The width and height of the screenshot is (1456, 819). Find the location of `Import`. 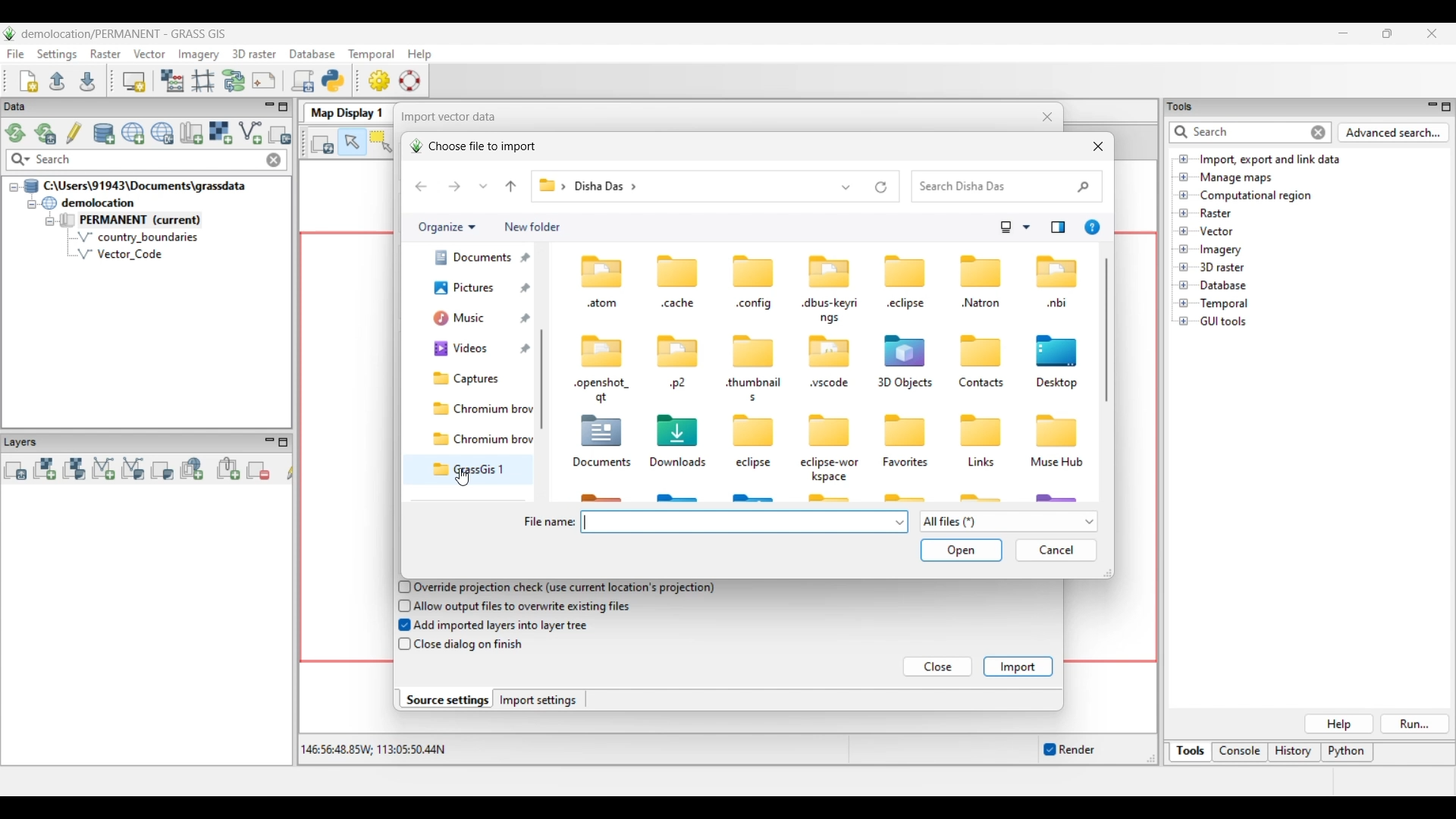

Import is located at coordinates (1018, 667).